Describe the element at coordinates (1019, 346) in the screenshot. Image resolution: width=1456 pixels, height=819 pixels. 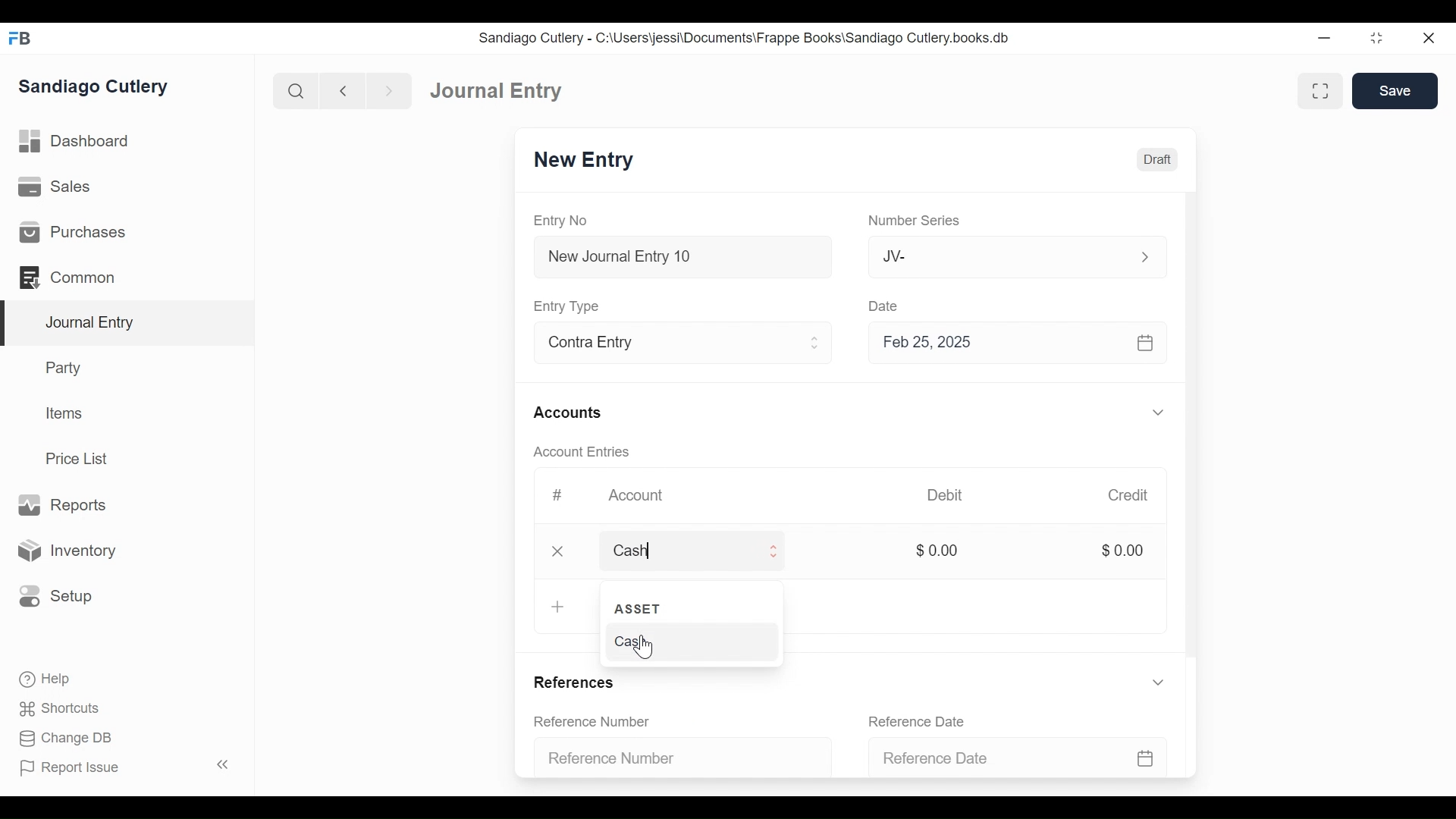
I see `Feb 25, 2025` at that location.